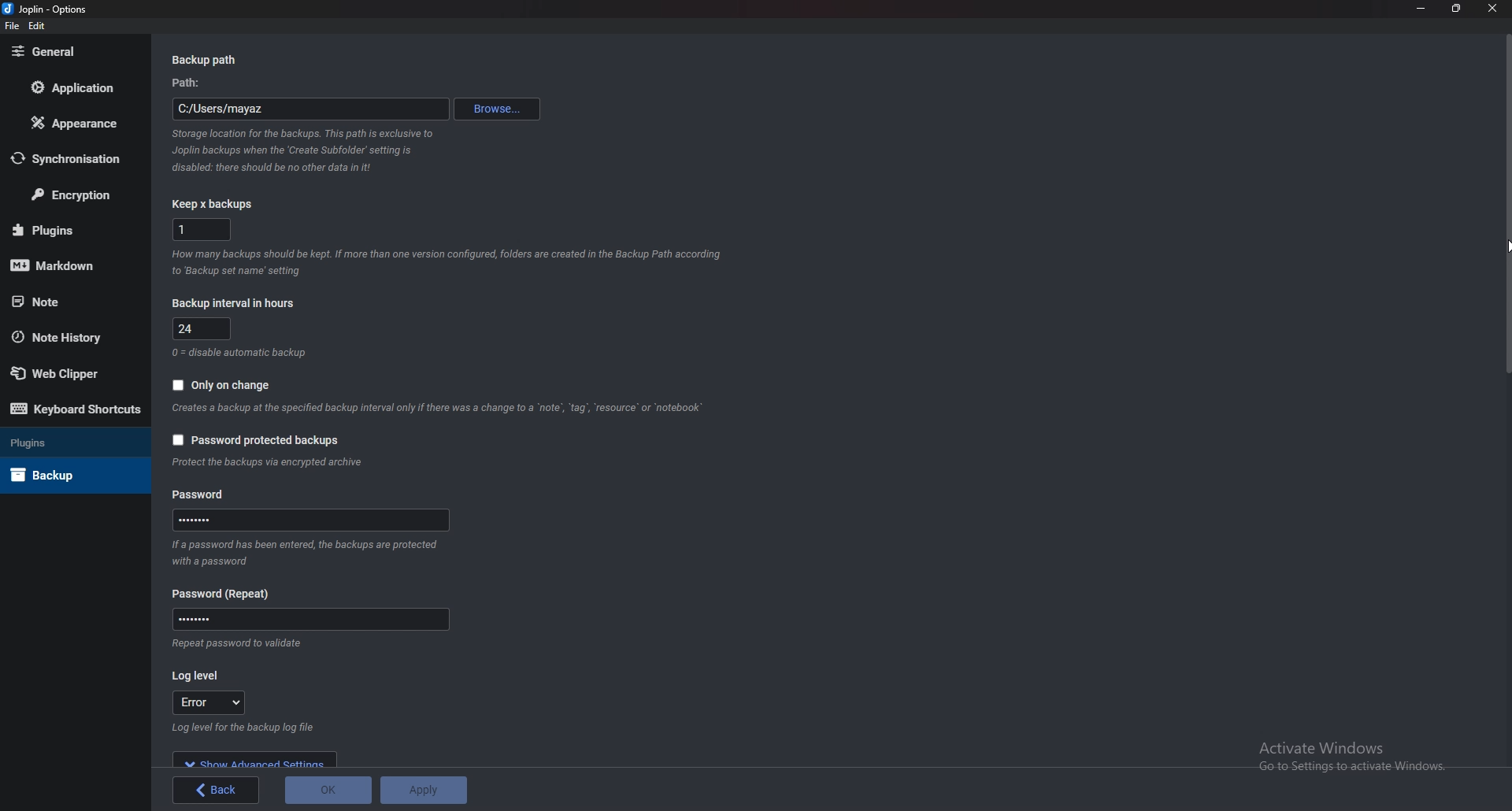  What do you see at coordinates (1421, 7) in the screenshot?
I see `Minimize` at bounding box center [1421, 7].